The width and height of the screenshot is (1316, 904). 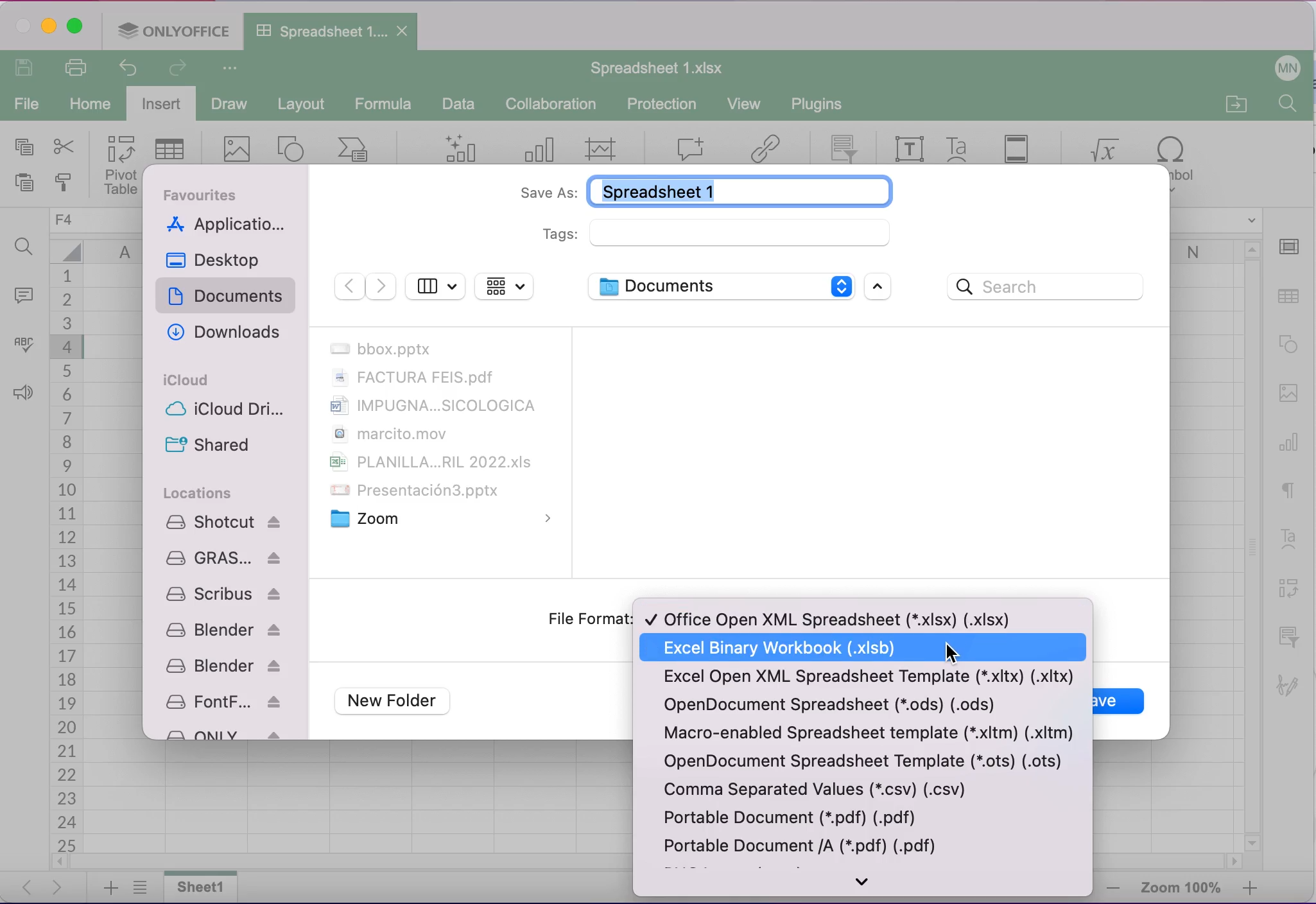 What do you see at coordinates (863, 677) in the screenshot?
I see `excel open xml spreadsheet template` at bounding box center [863, 677].